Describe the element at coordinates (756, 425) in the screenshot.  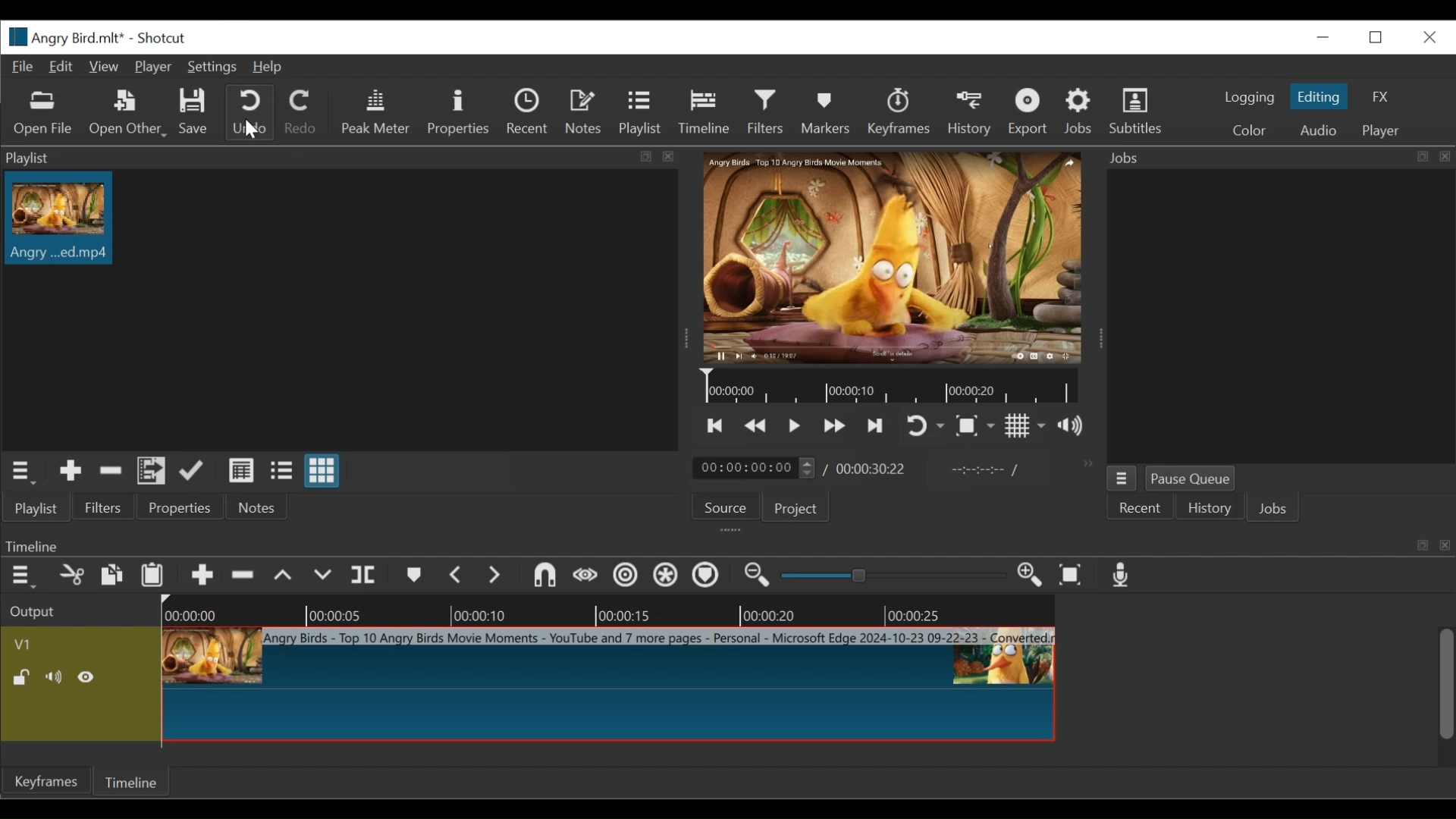
I see `Play quickly forward` at that location.